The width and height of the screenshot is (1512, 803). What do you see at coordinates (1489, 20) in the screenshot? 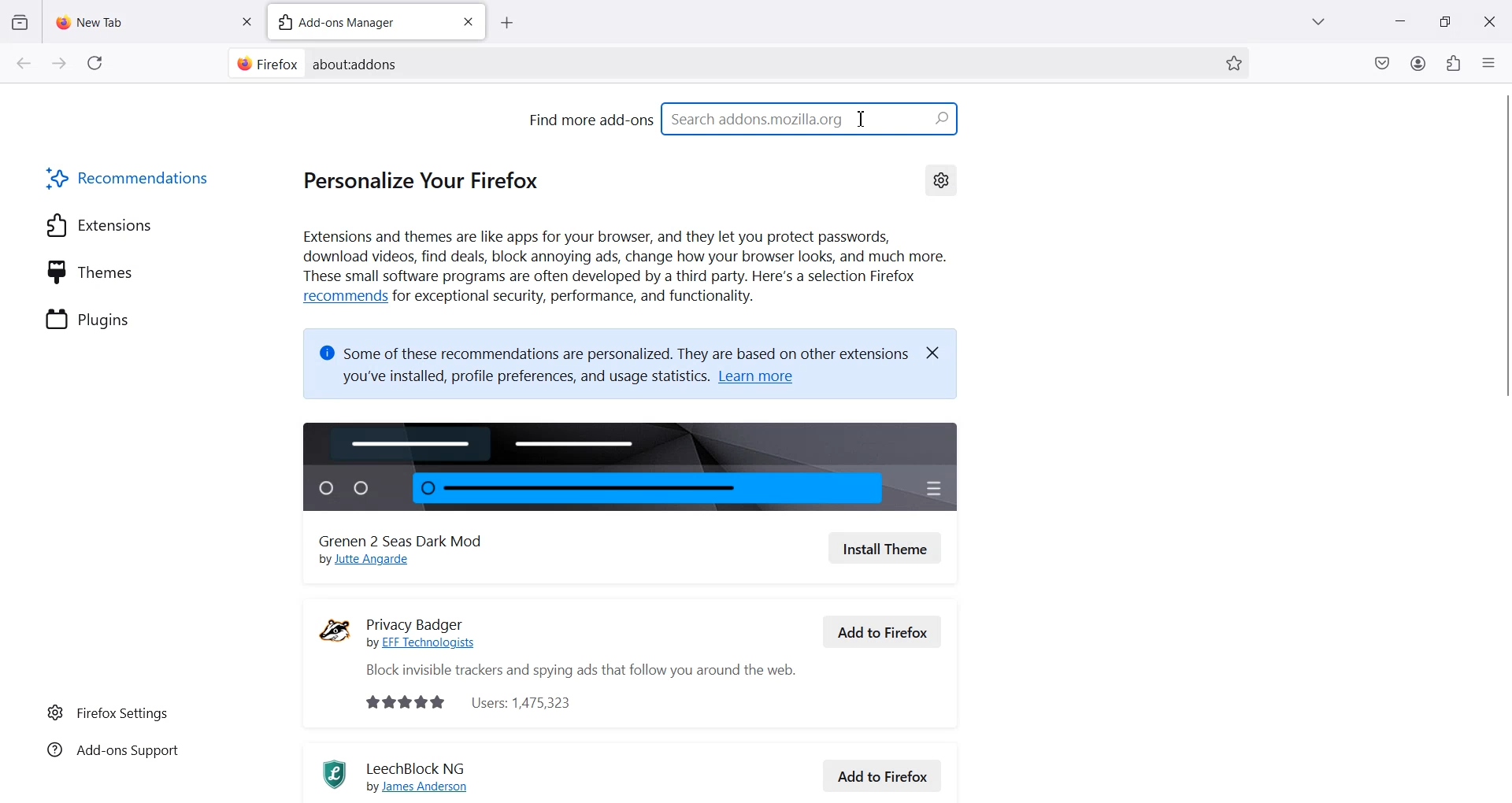
I see `Close` at bounding box center [1489, 20].